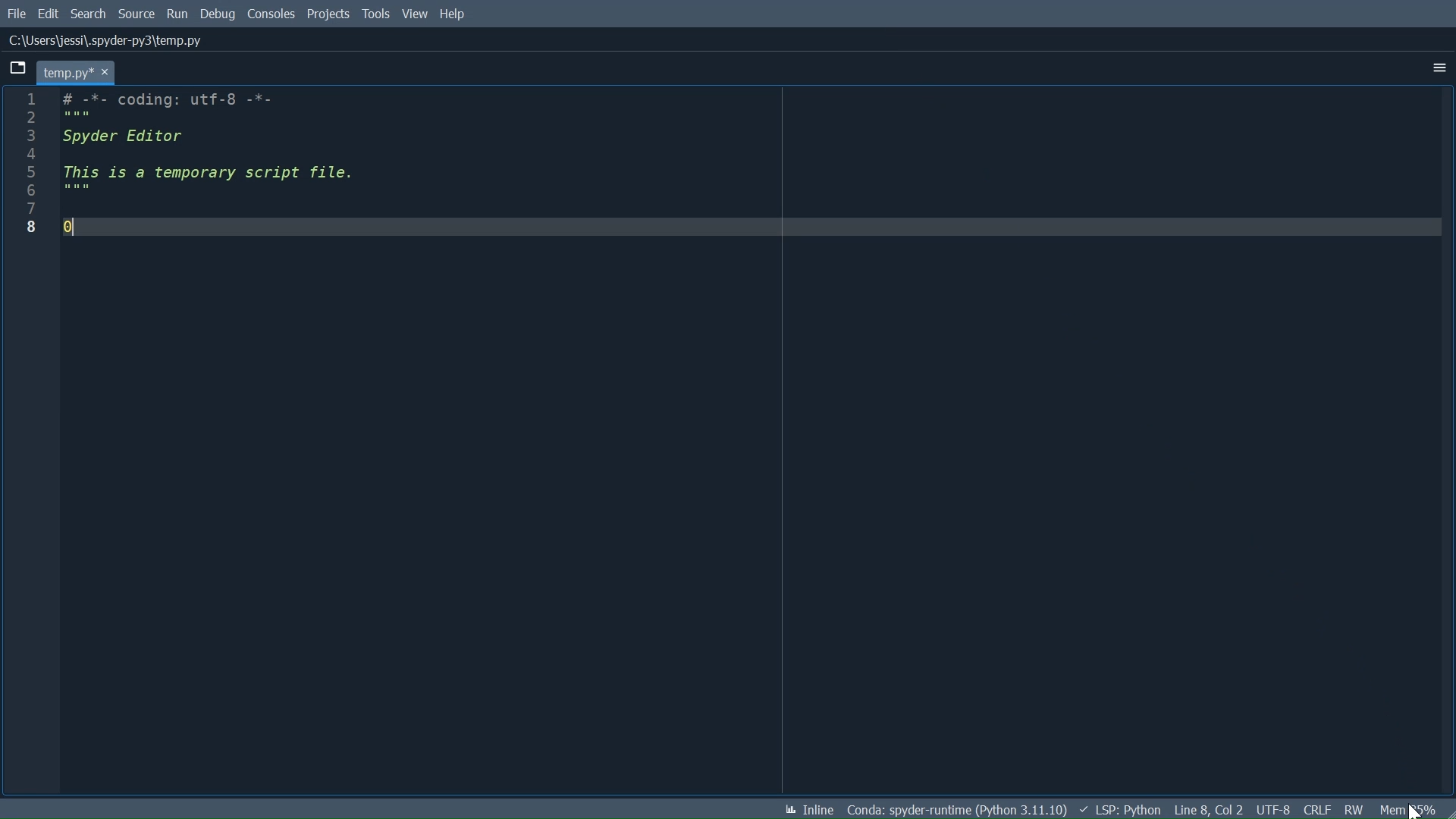 The width and height of the screenshot is (1456, 819). I want to click on Language, so click(1121, 810).